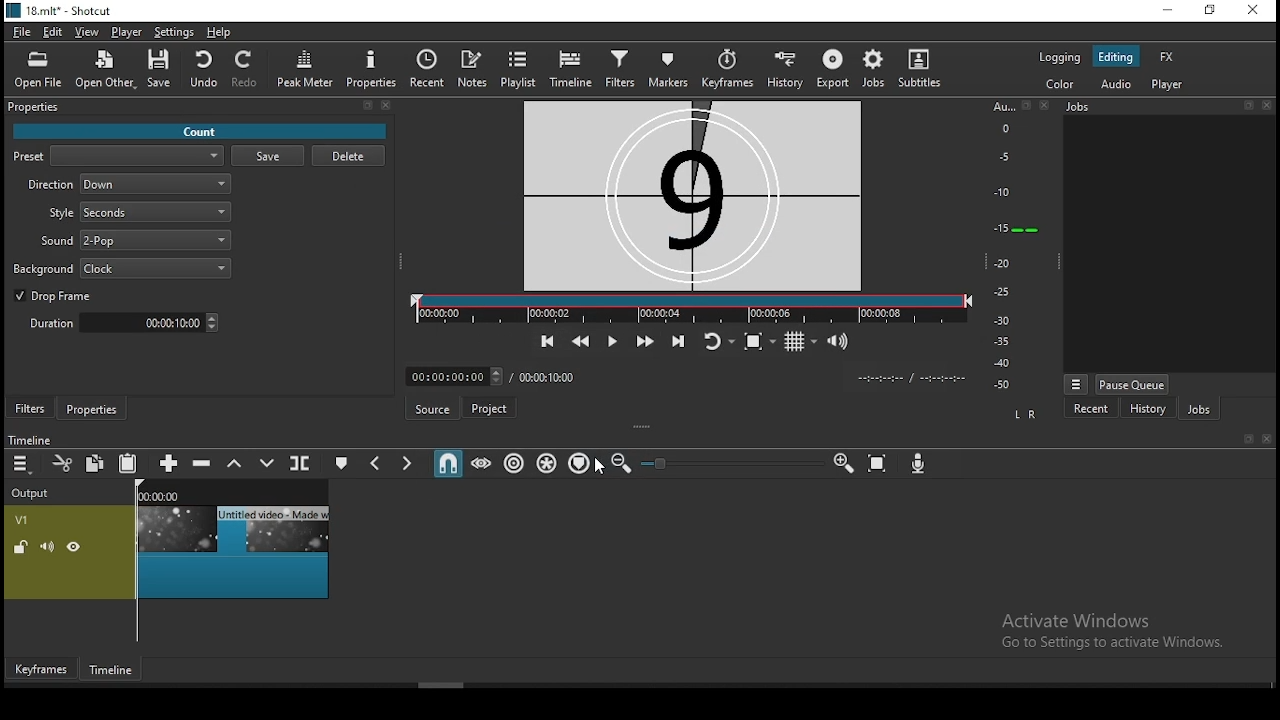 This screenshot has height=720, width=1280. Describe the element at coordinates (877, 463) in the screenshot. I see `zoom timeline to fit` at that location.